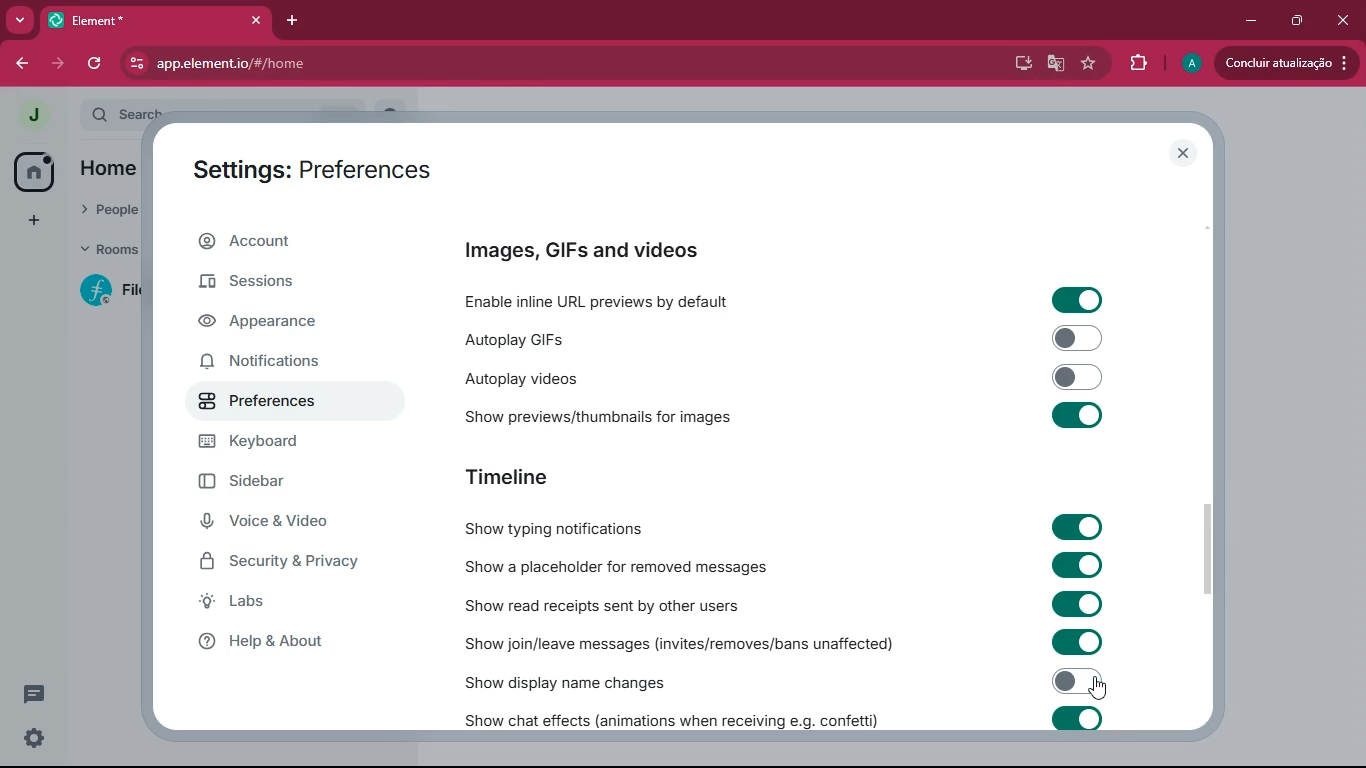 The width and height of the screenshot is (1366, 768). What do you see at coordinates (96, 64) in the screenshot?
I see `refresh` at bounding box center [96, 64].